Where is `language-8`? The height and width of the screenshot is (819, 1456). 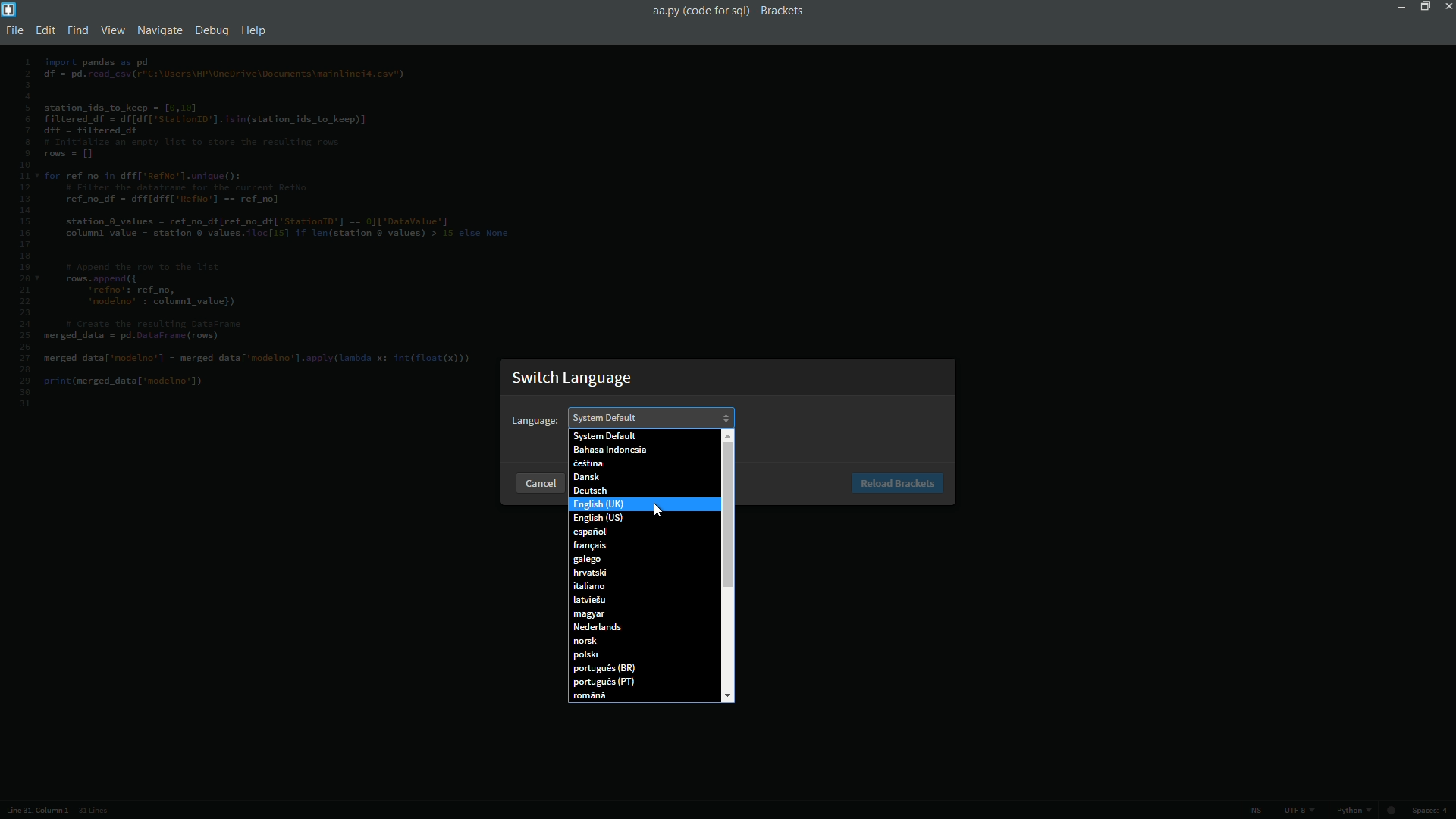
language-8 is located at coordinates (589, 545).